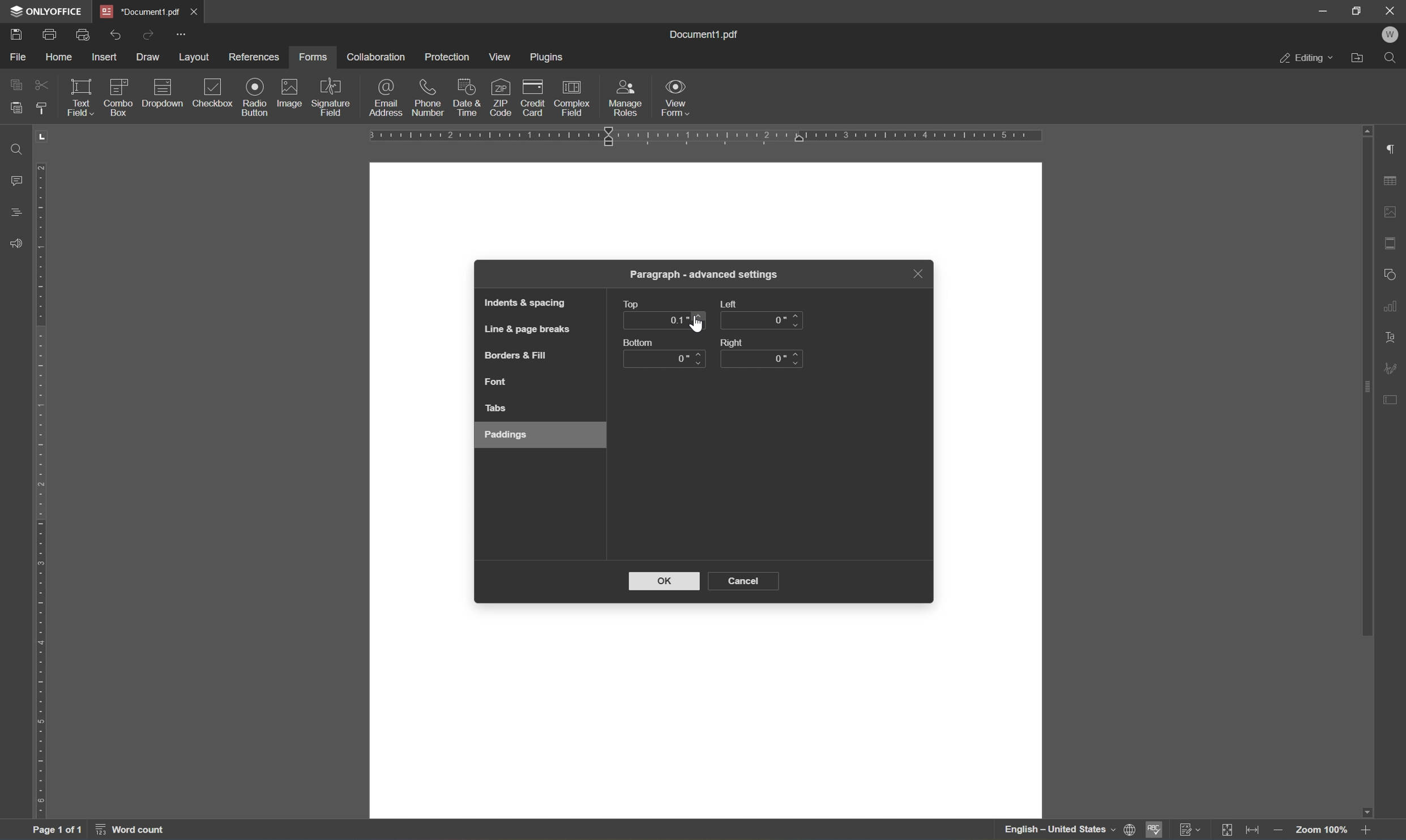 This screenshot has width=1406, height=840. Describe the element at coordinates (525, 303) in the screenshot. I see `indents & spacing` at that location.